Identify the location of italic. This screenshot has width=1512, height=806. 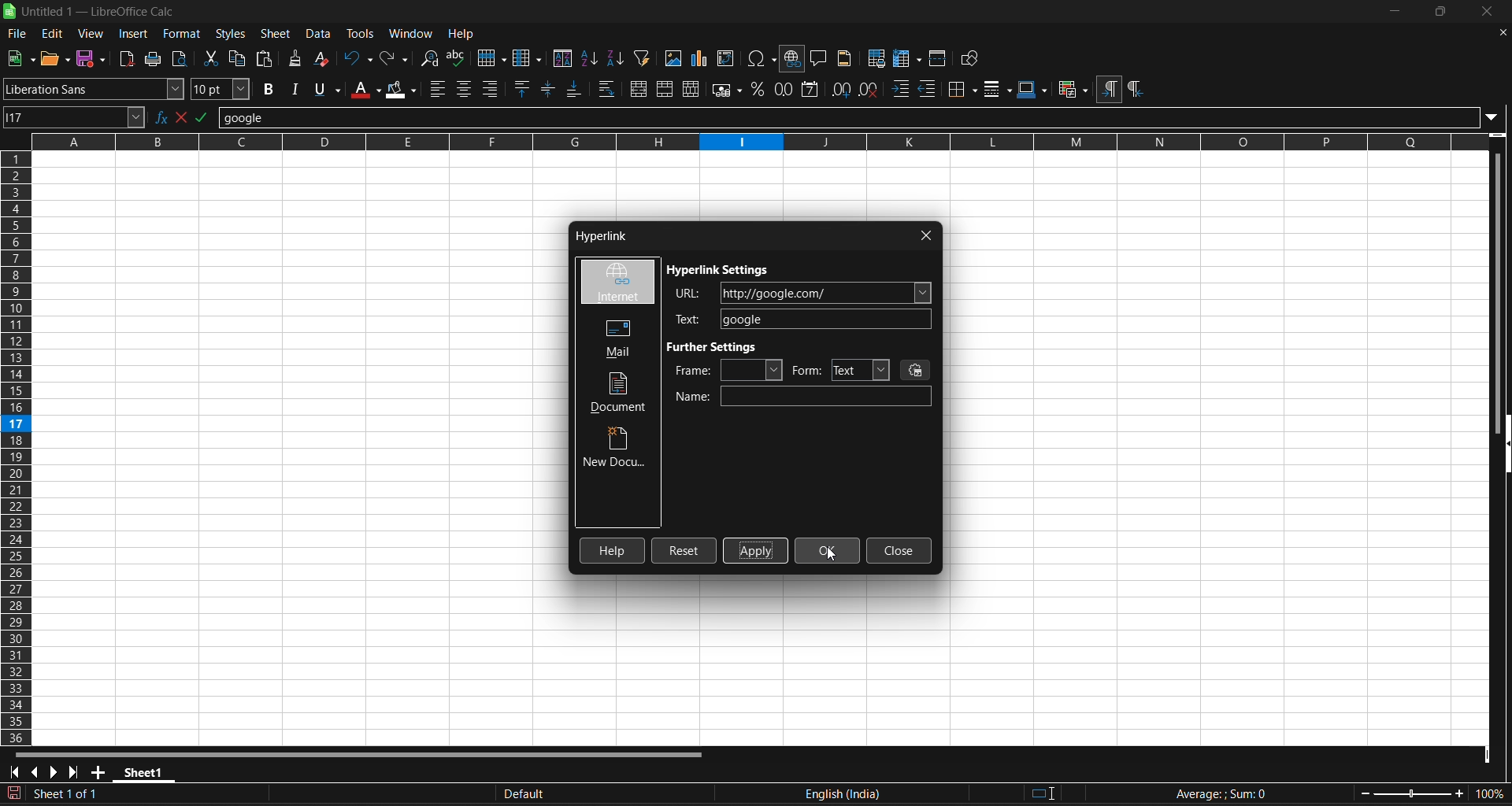
(295, 88).